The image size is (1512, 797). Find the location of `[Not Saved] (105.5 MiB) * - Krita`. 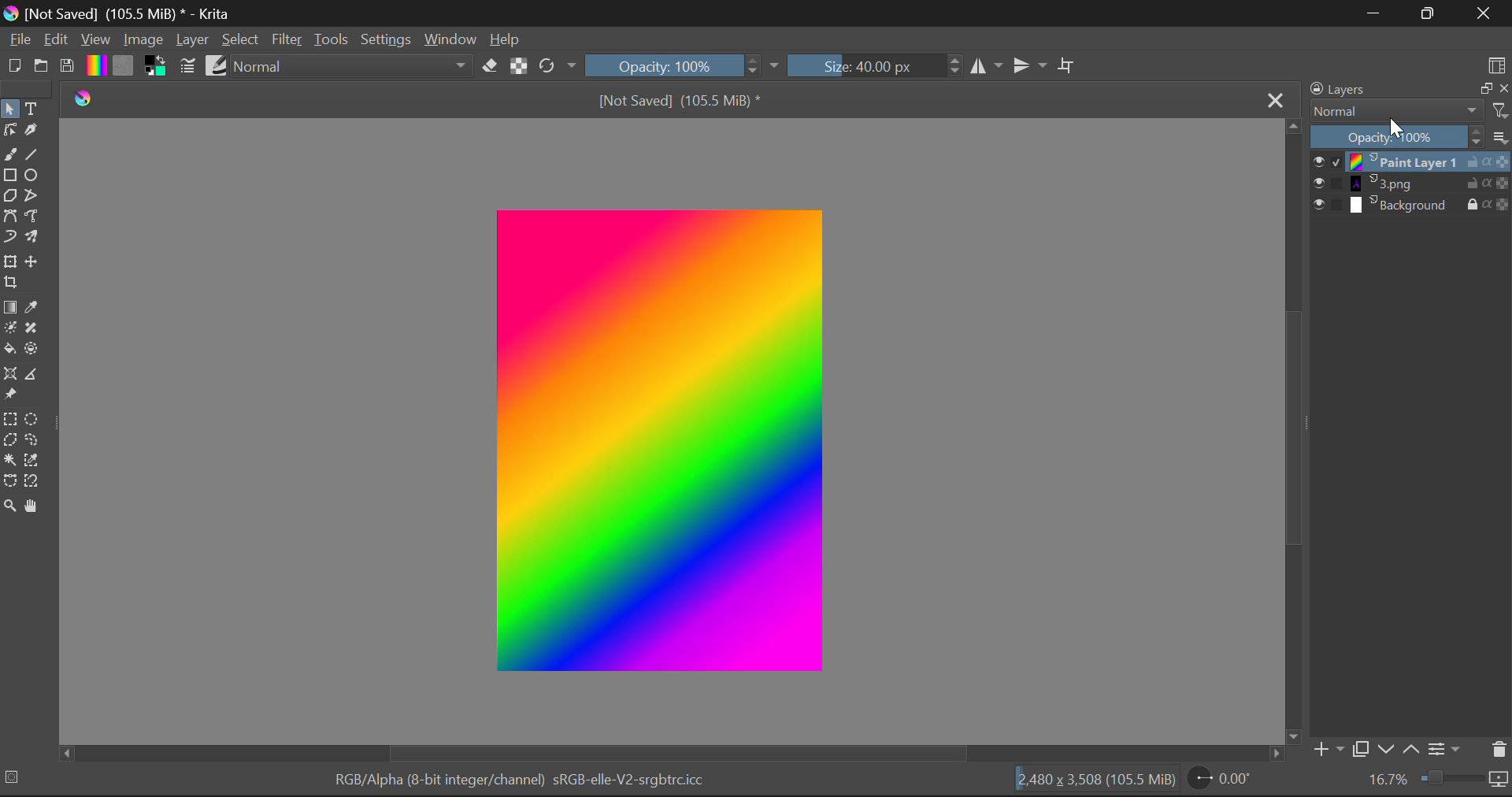

[Not Saved] (105.5 MiB) * - Krita is located at coordinates (131, 14).